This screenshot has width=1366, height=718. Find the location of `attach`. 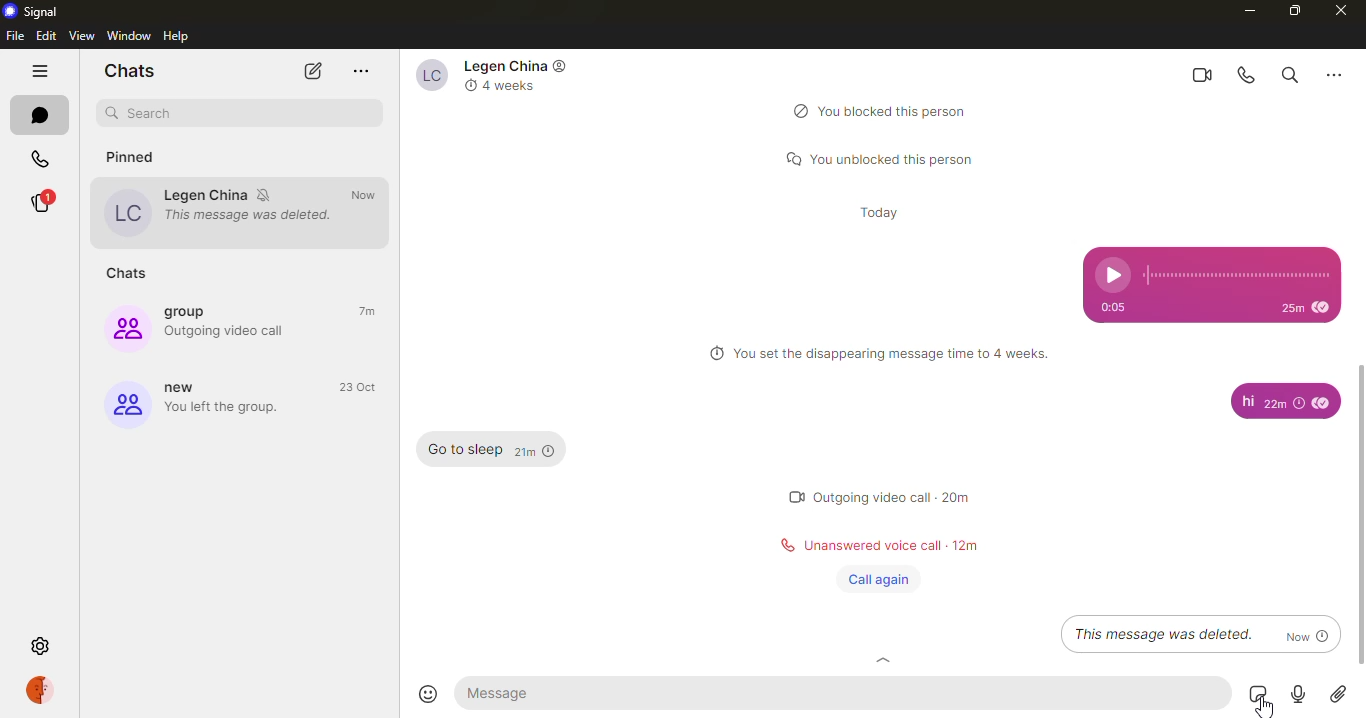

attach is located at coordinates (1339, 695).